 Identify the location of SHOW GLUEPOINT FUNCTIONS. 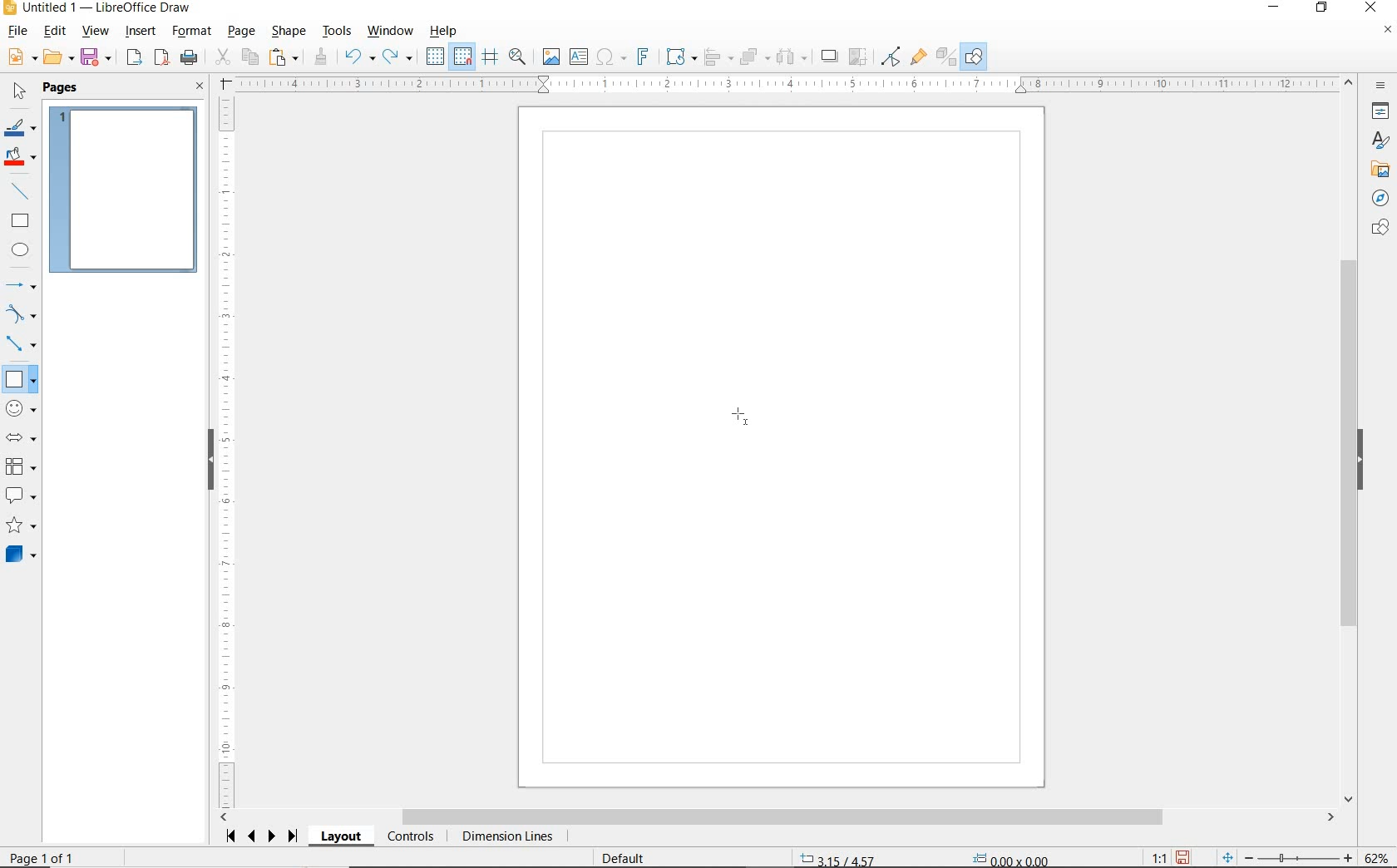
(917, 56).